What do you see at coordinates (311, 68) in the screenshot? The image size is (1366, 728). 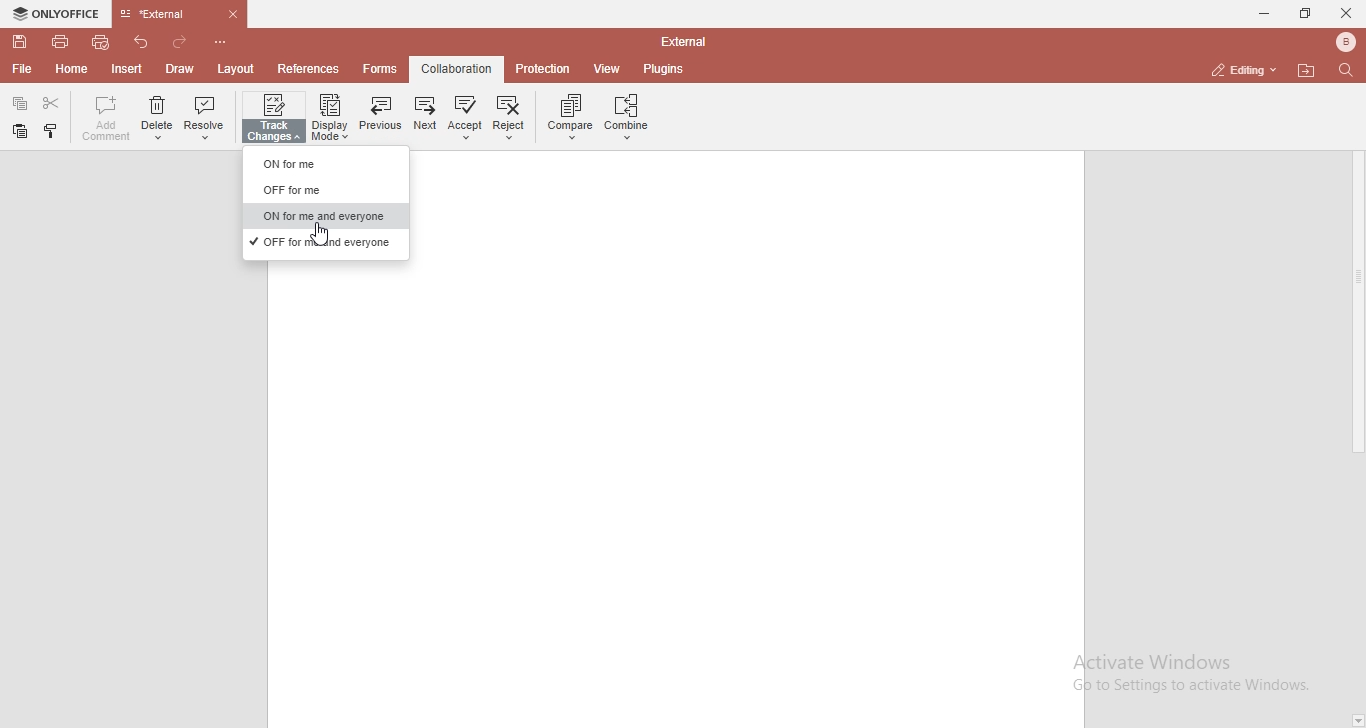 I see `references` at bounding box center [311, 68].